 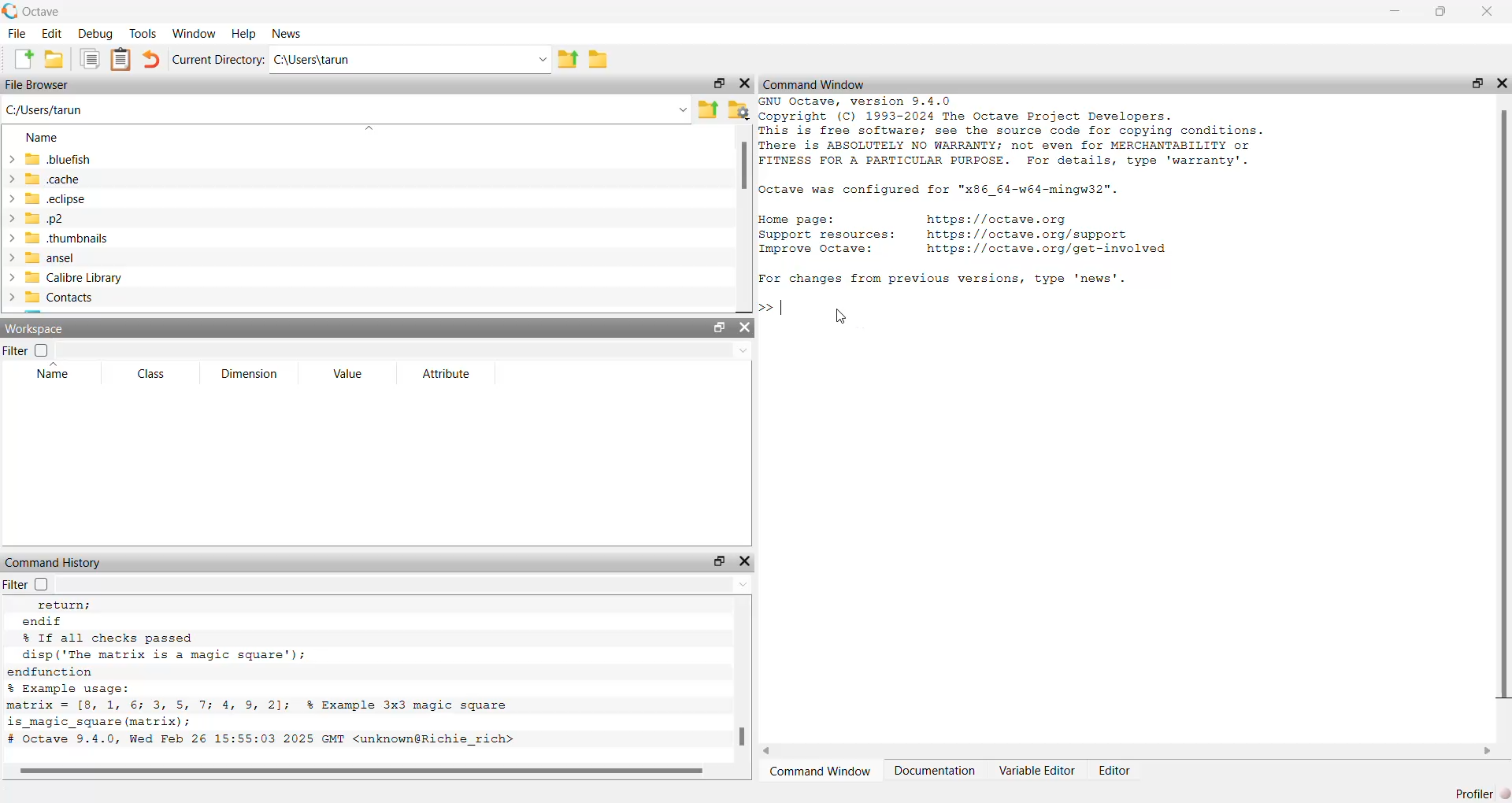 What do you see at coordinates (1036, 771) in the screenshot?
I see `Variable Editor` at bounding box center [1036, 771].